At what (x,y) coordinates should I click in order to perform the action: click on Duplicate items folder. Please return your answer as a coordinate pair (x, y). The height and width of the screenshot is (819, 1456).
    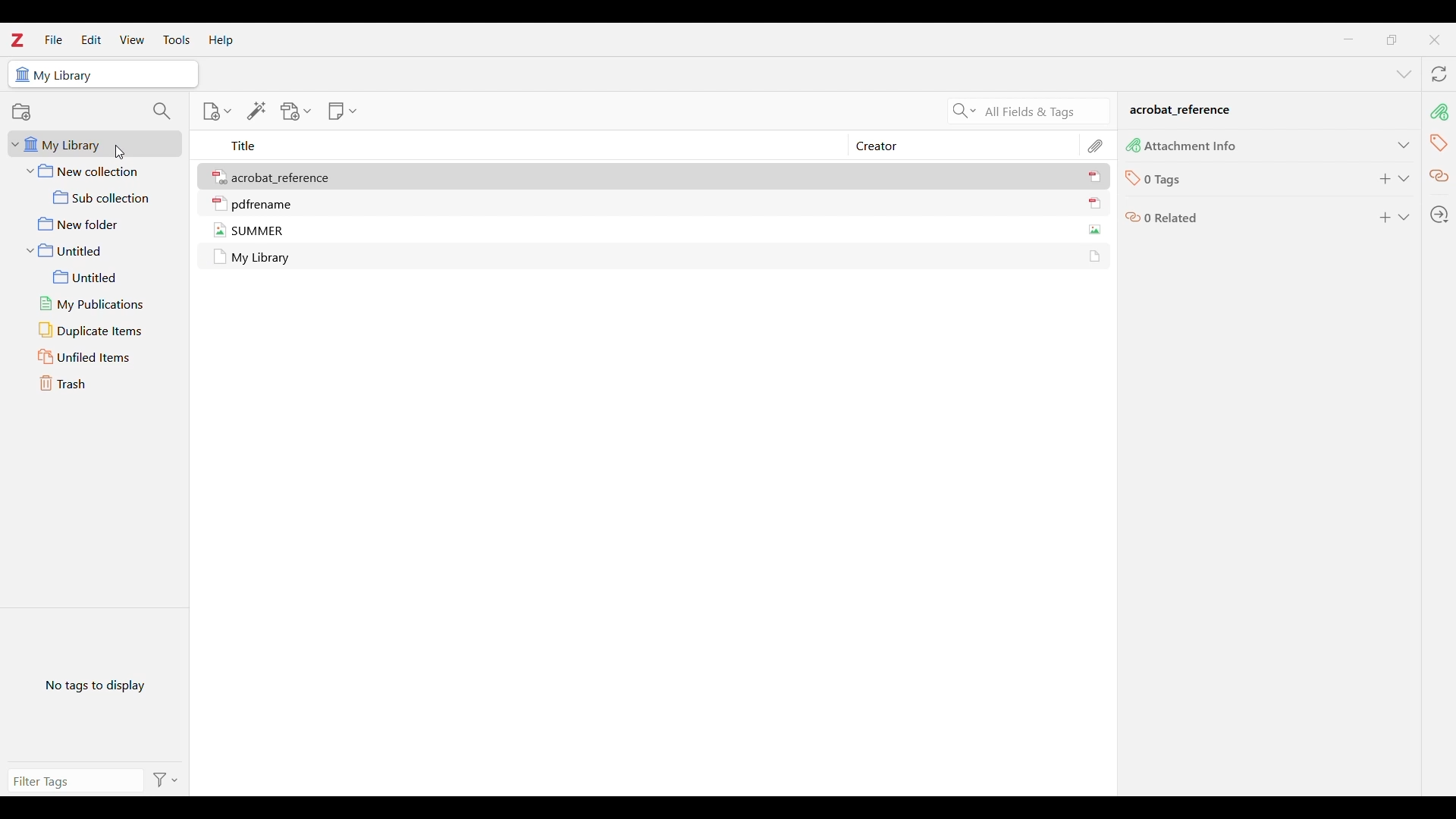
    Looking at the image, I should click on (101, 331).